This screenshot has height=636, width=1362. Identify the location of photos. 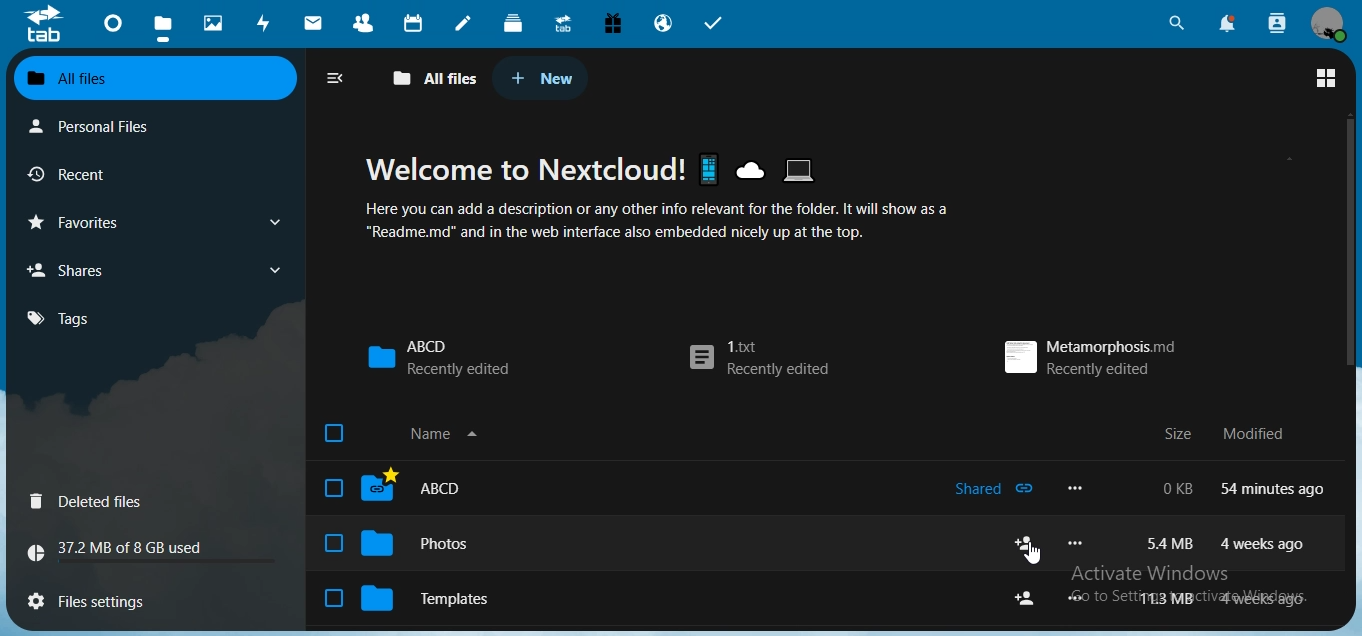
(216, 24).